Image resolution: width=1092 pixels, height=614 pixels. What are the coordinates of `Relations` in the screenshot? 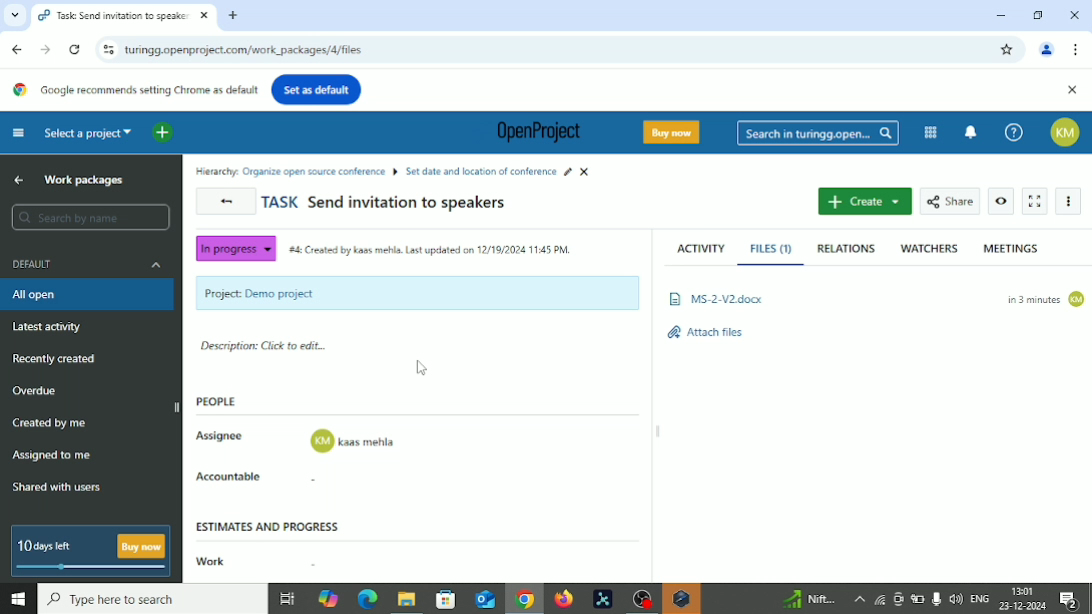 It's located at (850, 250).